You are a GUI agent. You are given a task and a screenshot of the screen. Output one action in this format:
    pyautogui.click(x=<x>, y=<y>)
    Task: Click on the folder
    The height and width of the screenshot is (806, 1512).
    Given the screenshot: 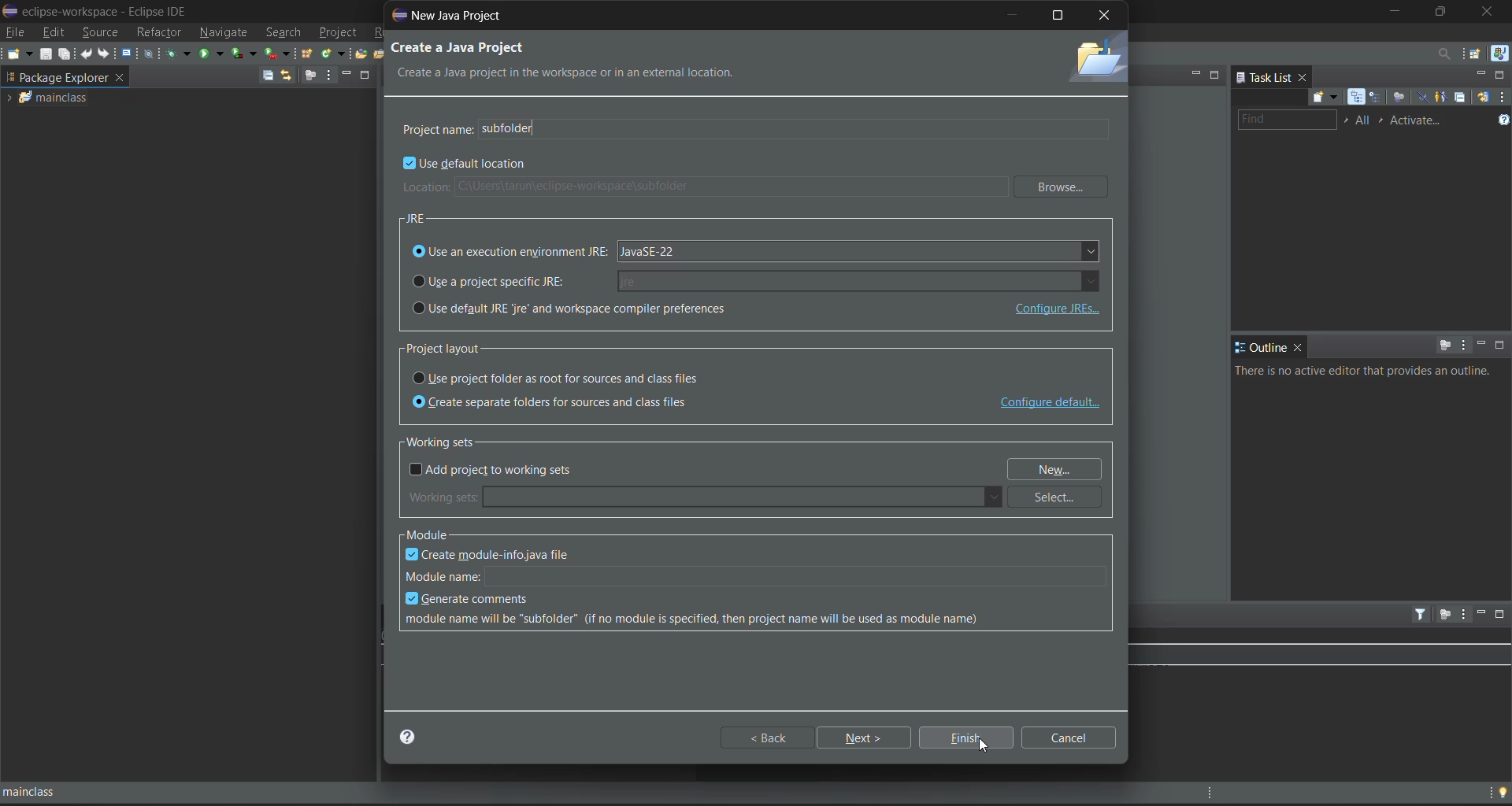 What is the action you would take?
    pyautogui.click(x=1095, y=60)
    